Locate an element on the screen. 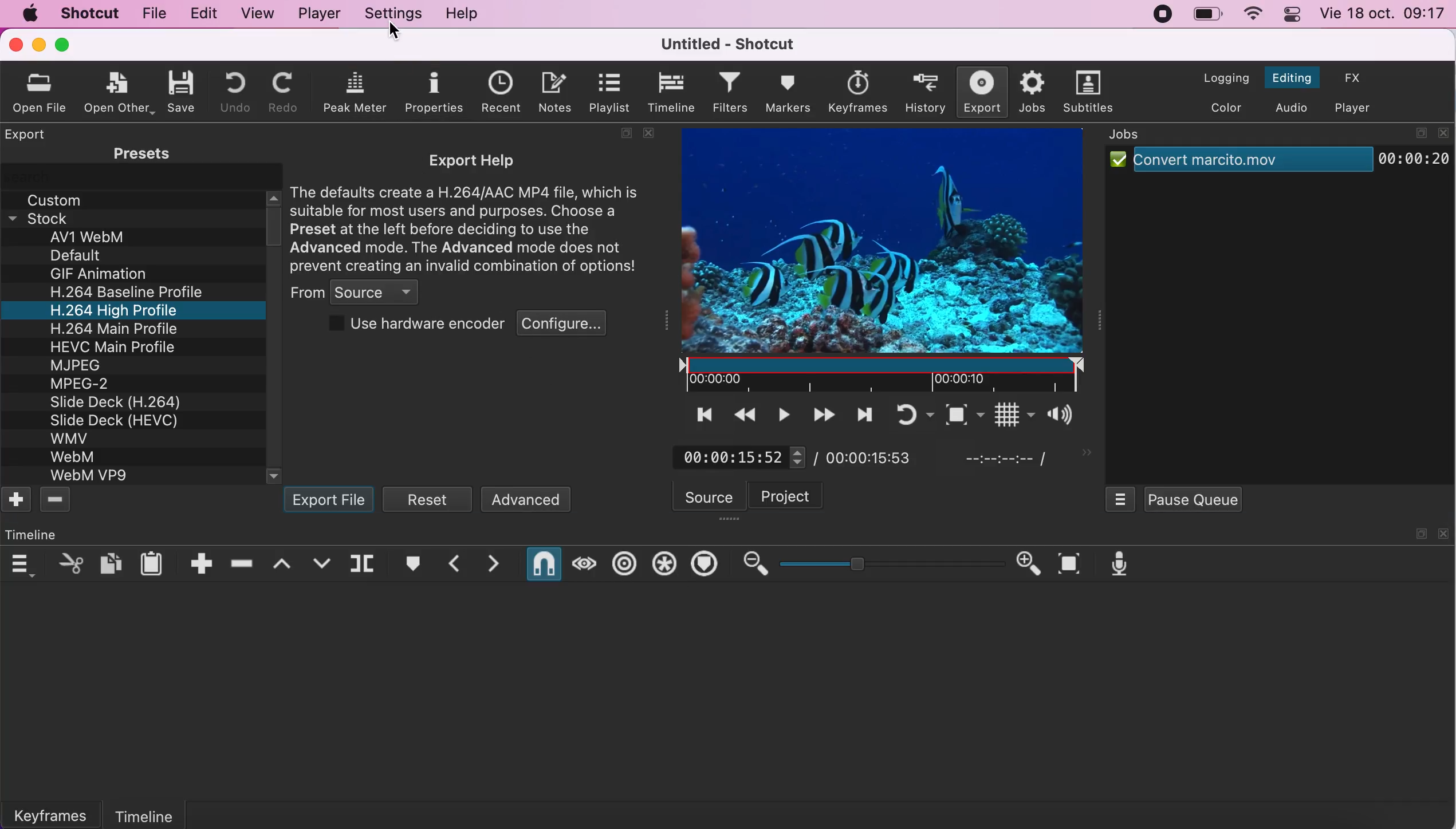 The image size is (1456, 829). H.264 High Profile is located at coordinates (127, 310).